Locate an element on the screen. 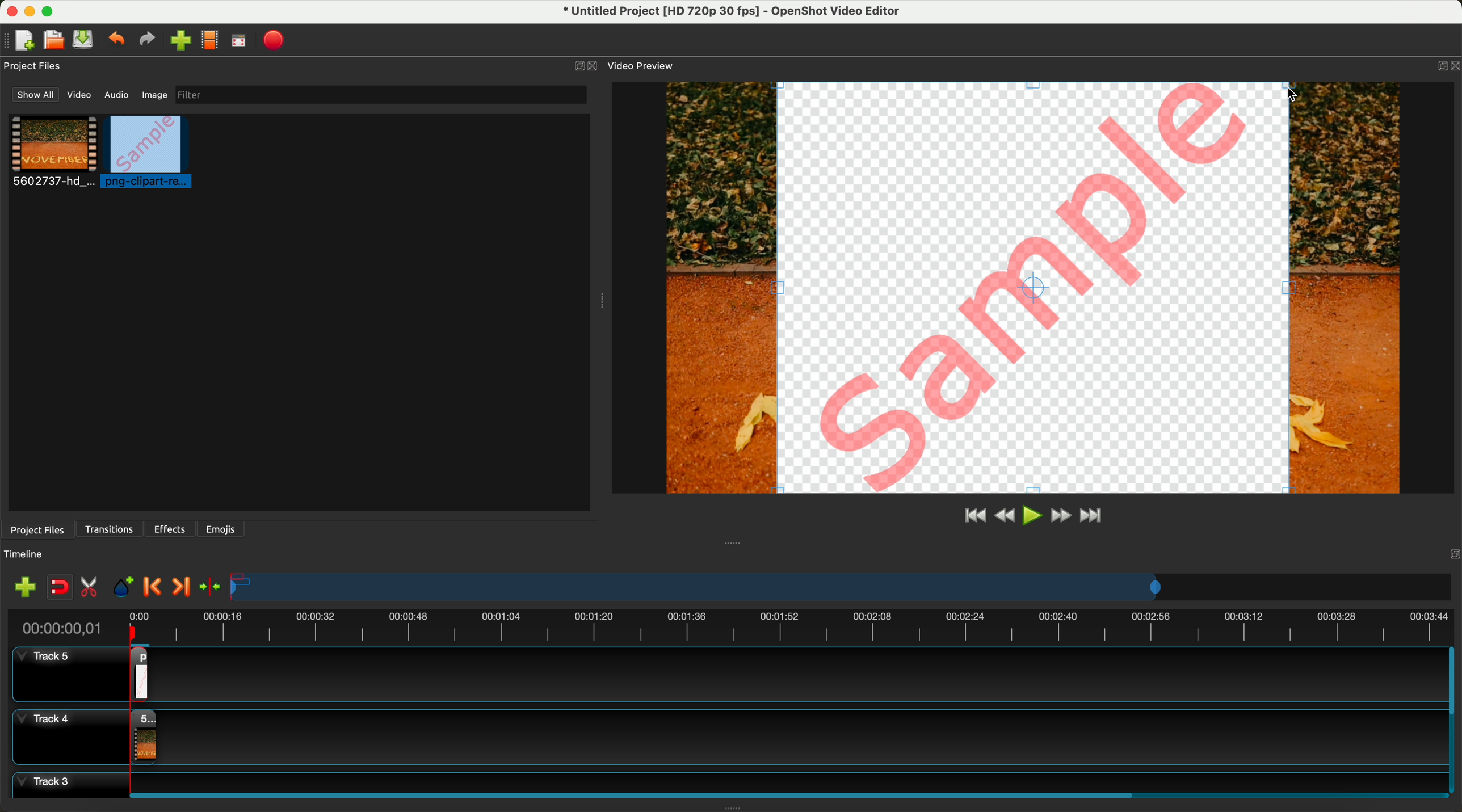  filter is located at coordinates (378, 95).